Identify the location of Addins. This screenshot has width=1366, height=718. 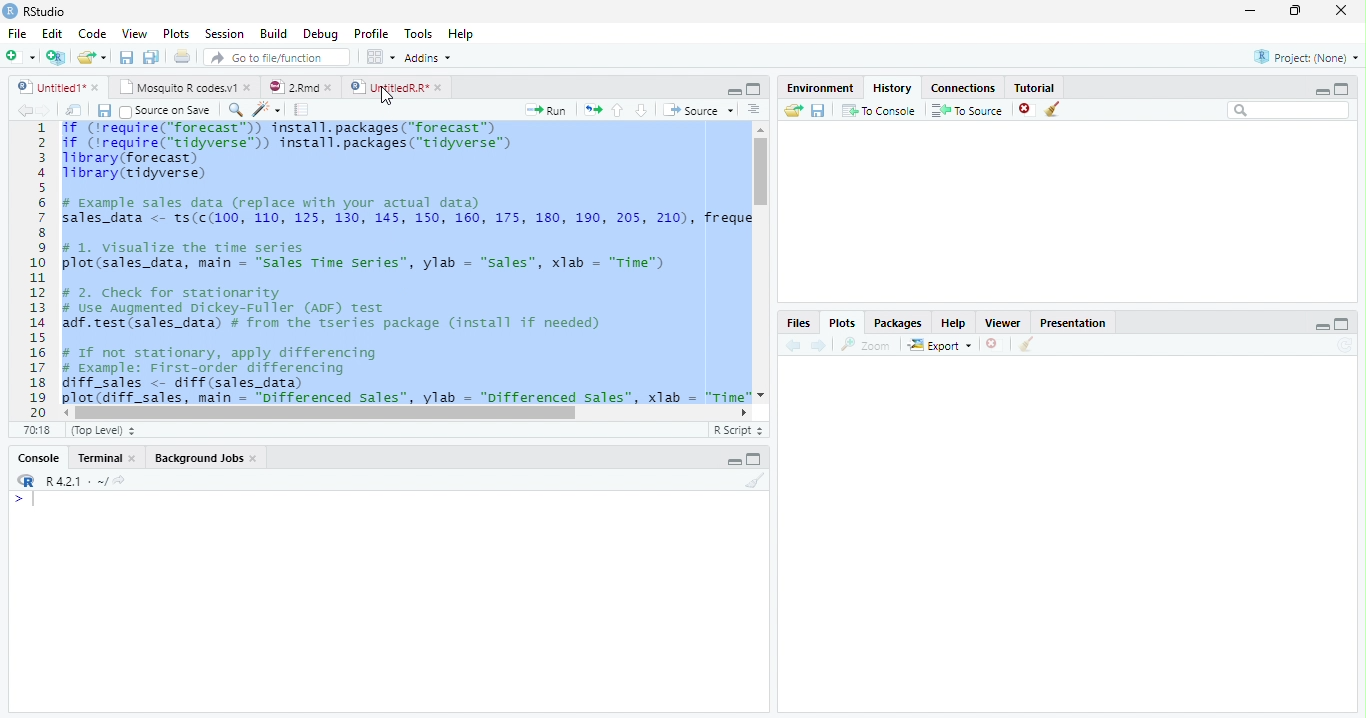
(430, 57).